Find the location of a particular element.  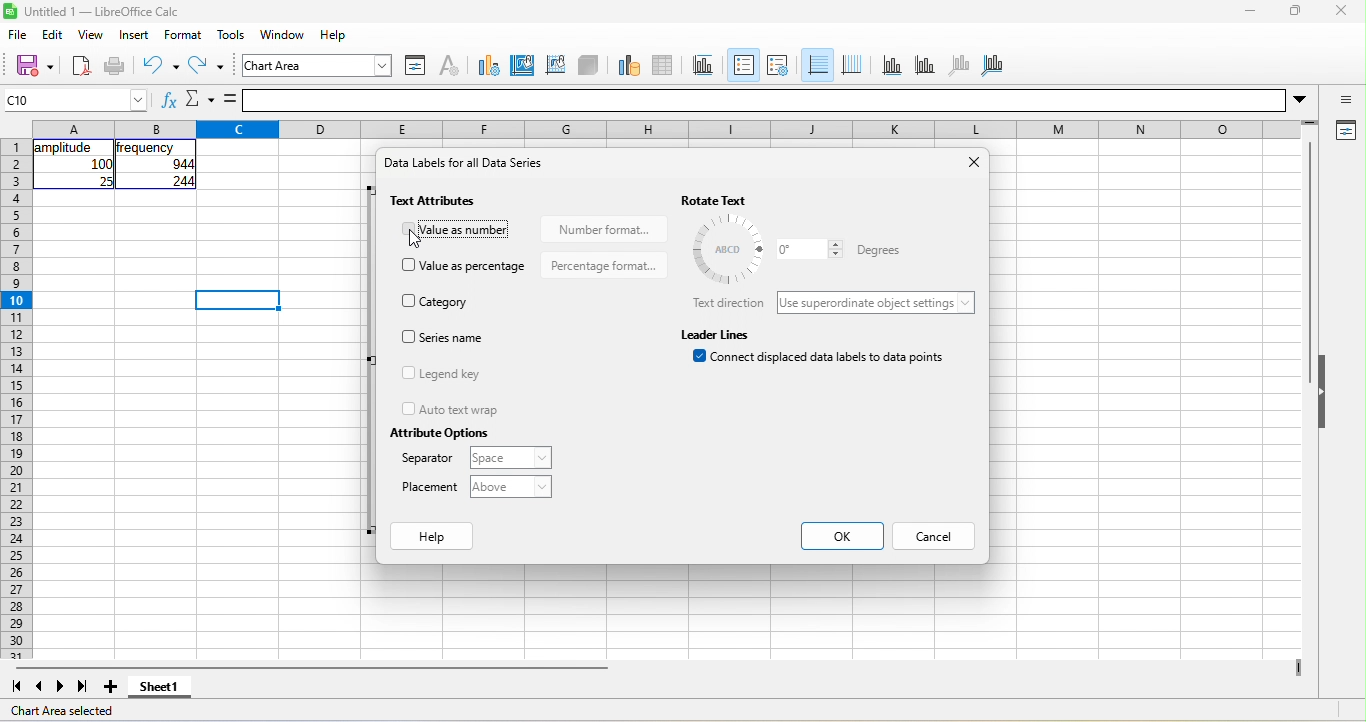

sidebar settings is located at coordinates (1346, 101).